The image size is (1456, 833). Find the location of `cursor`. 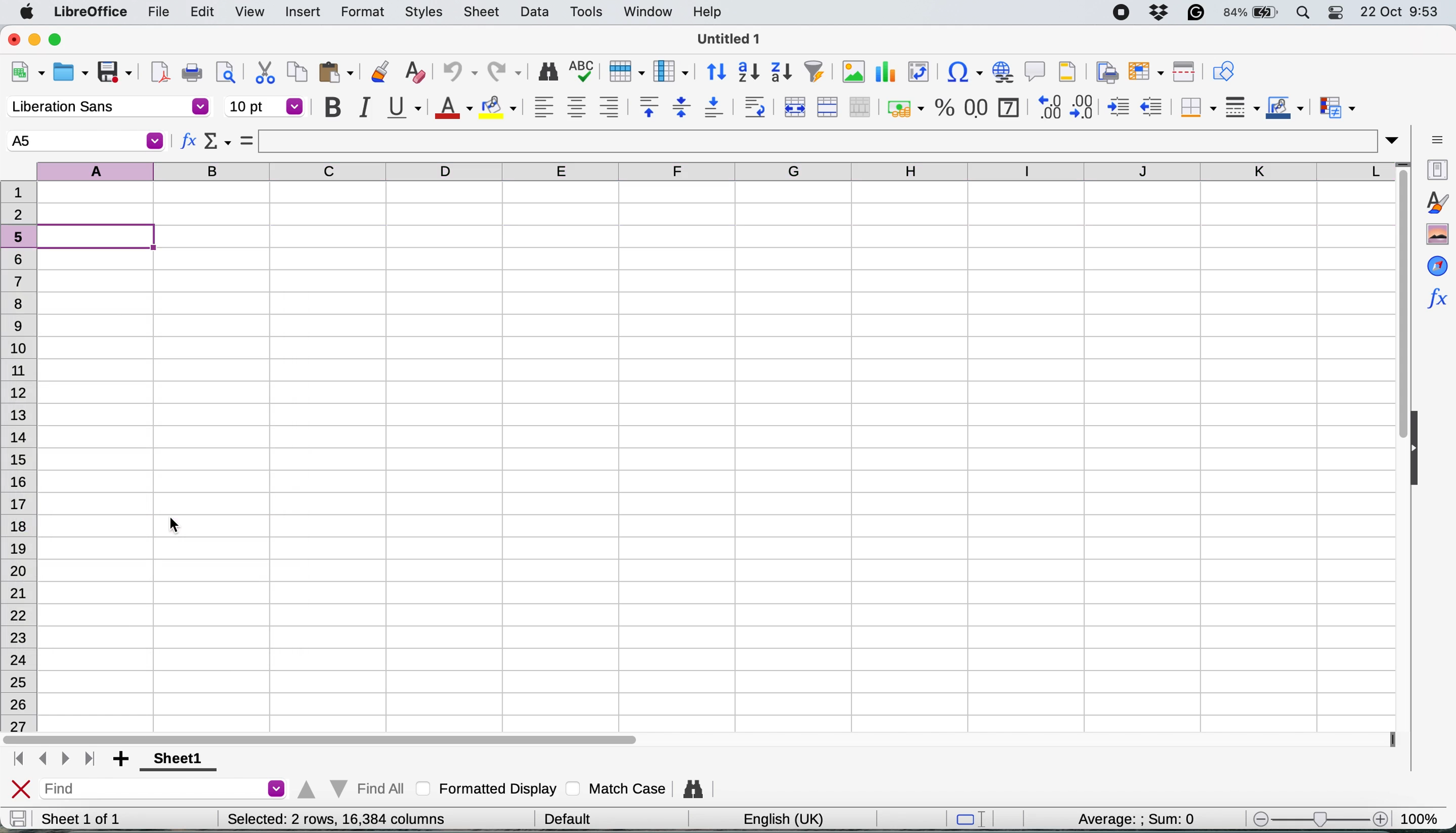

cursor is located at coordinates (175, 526).